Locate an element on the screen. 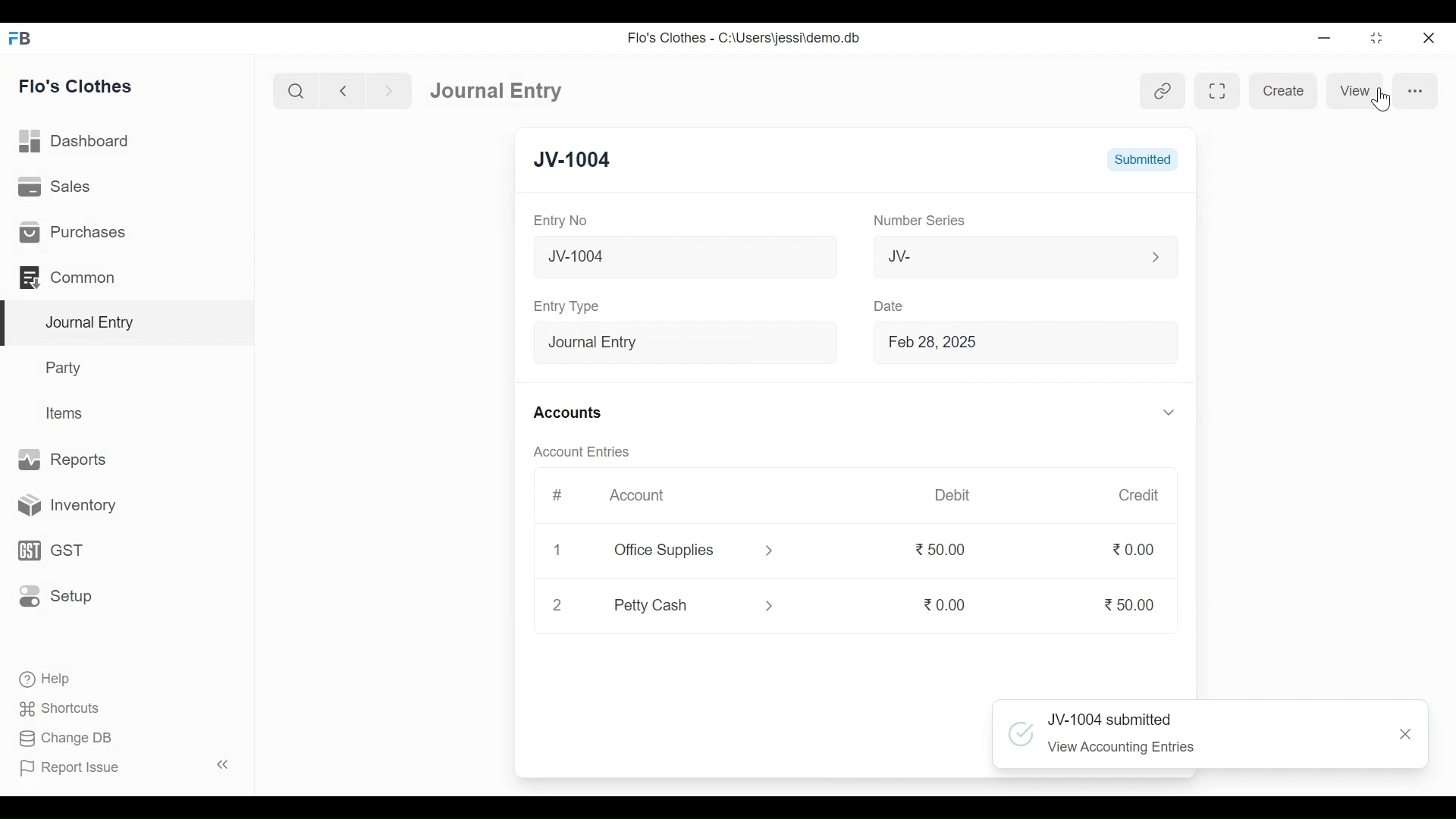 The height and width of the screenshot is (819, 1456). ~~ JV-1004 submitted
‘ View Accounting Entries is located at coordinates (1186, 734).